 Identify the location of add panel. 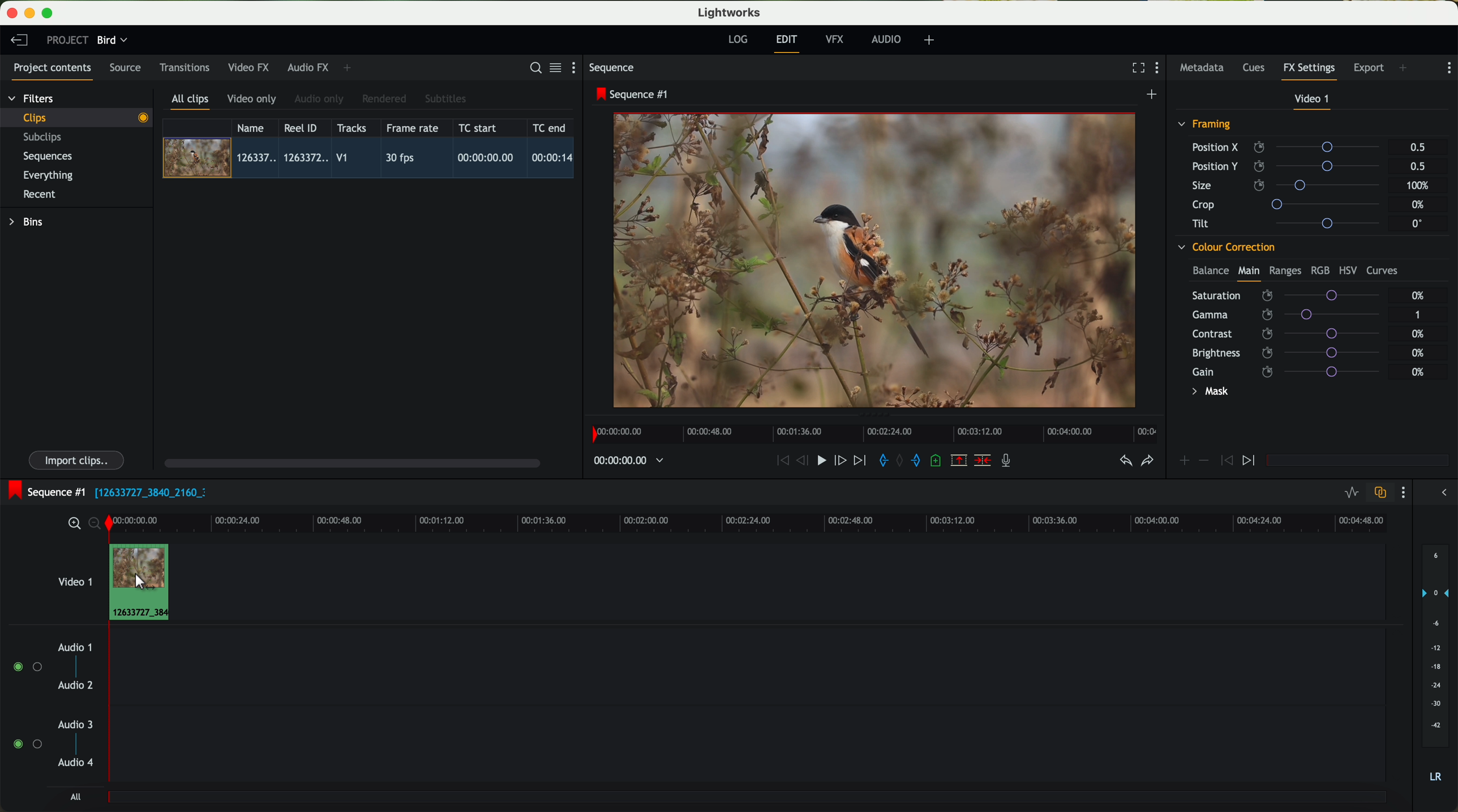
(350, 68).